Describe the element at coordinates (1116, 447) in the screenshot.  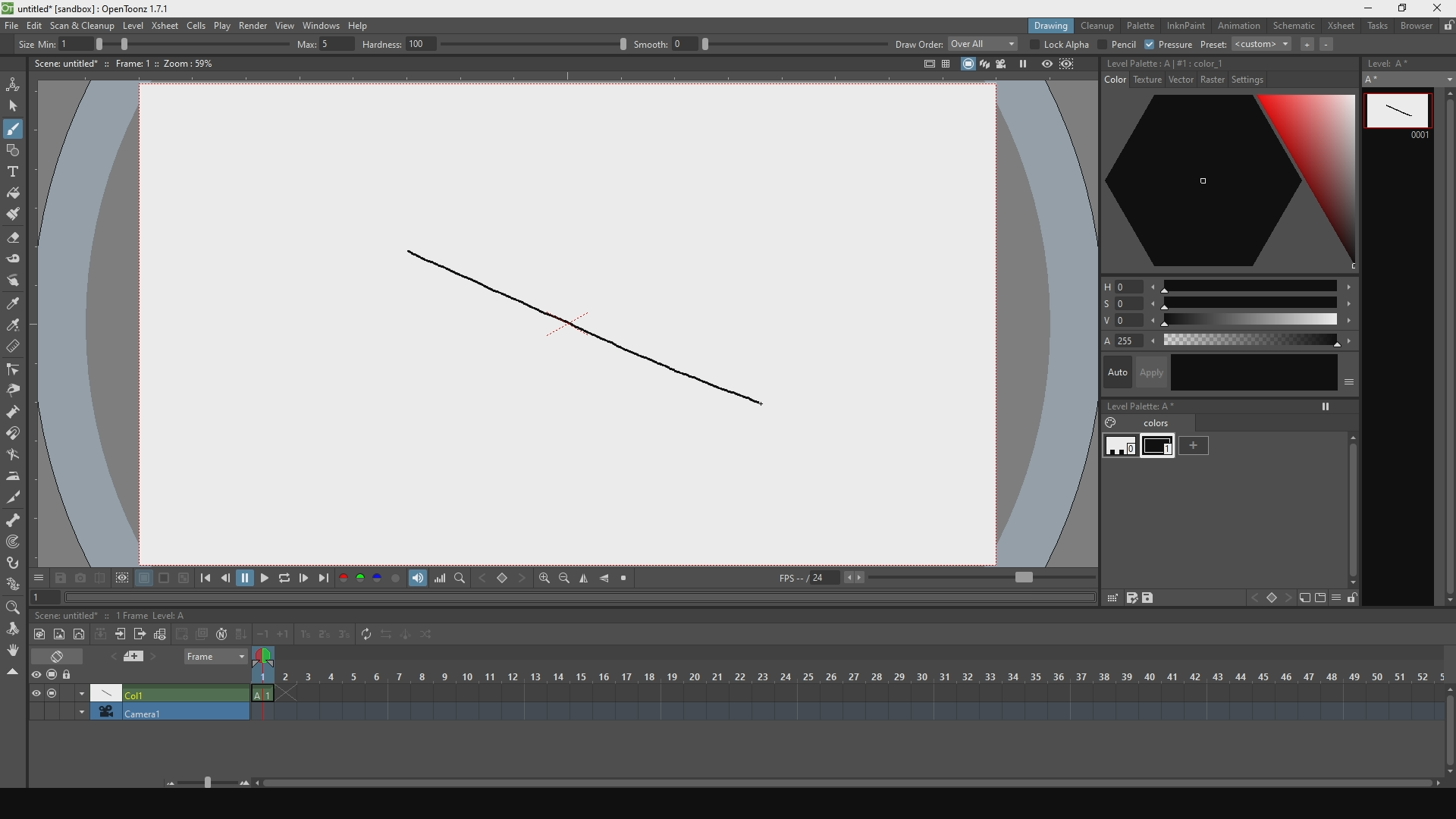
I see `white` at that location.